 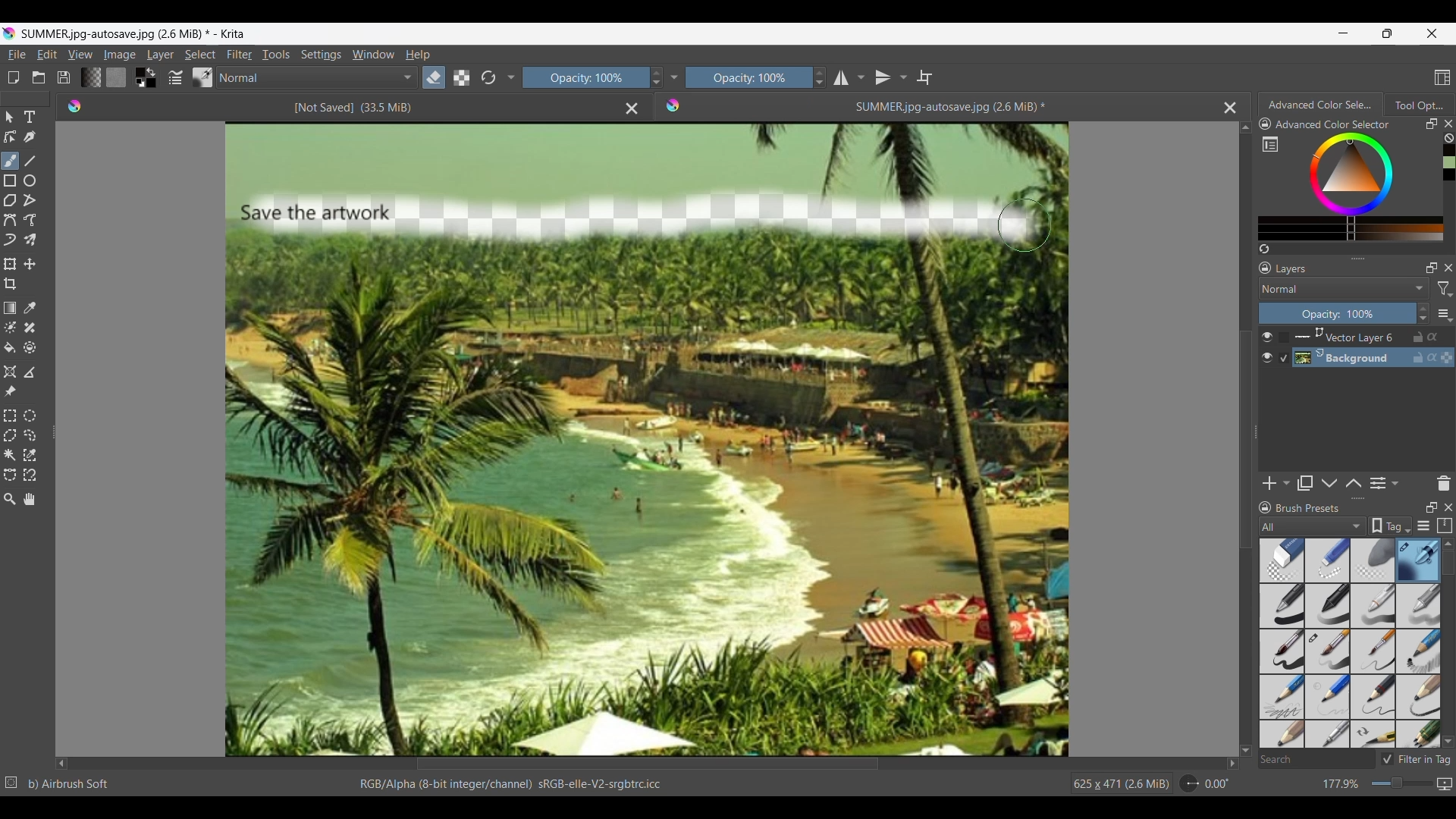 What do you see at coordinates (161, 55) in the screenshot?
I see `Layer` at bounding box center [161, 55].